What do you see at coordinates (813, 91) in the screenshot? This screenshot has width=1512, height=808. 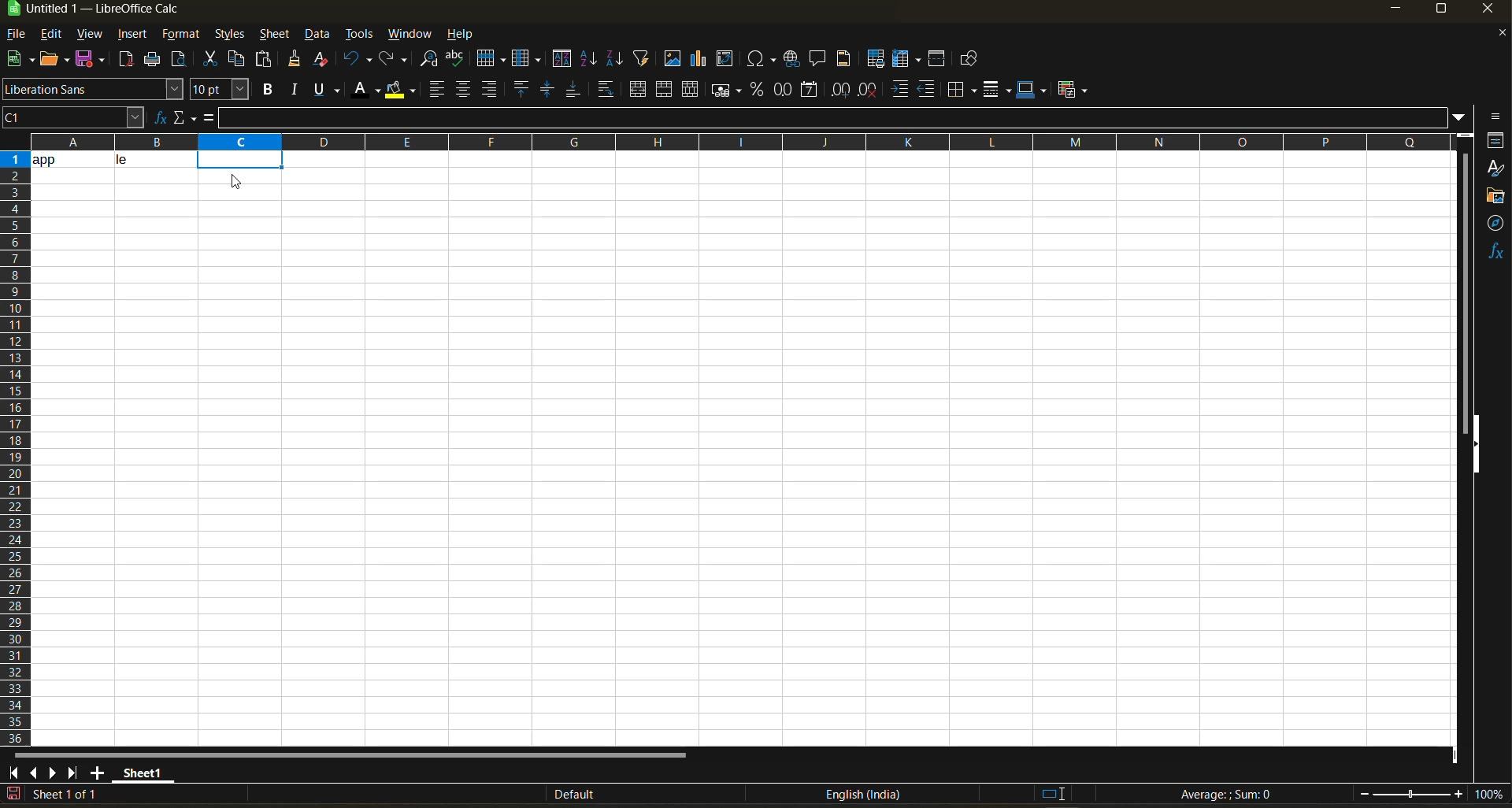 I see `format as date` at bounding box center [813, 91].